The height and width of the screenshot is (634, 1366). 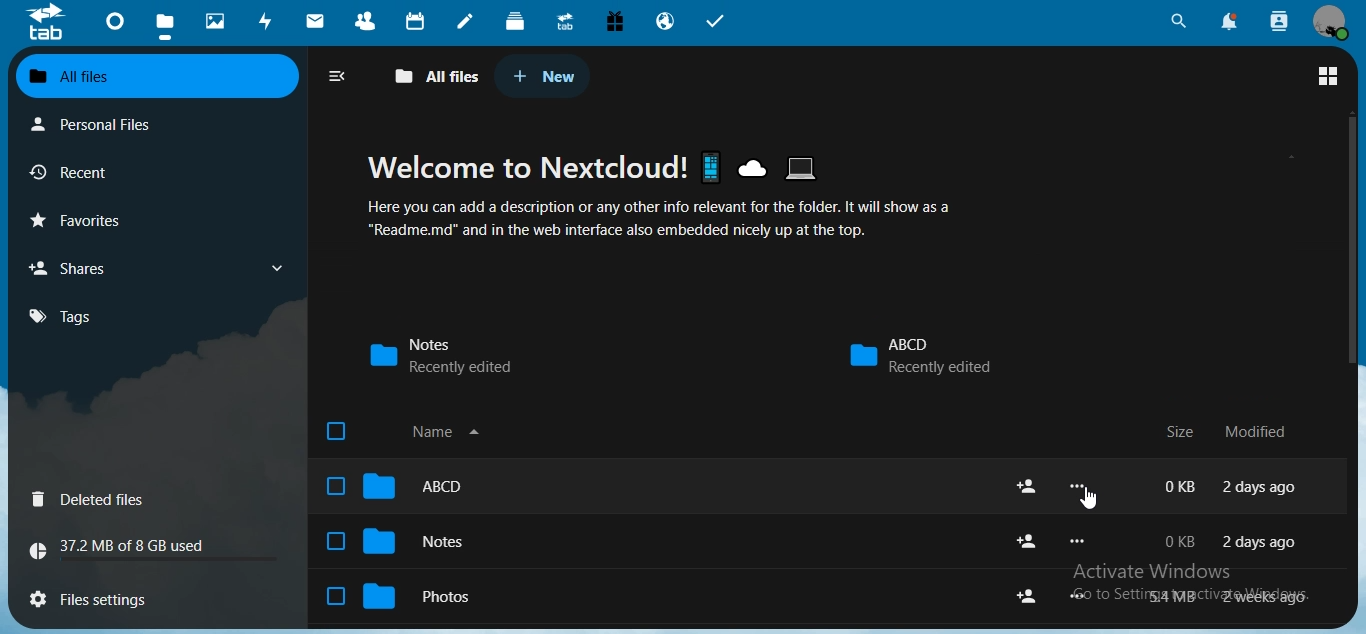 I want to click on deck, so click(x=517, y=20).